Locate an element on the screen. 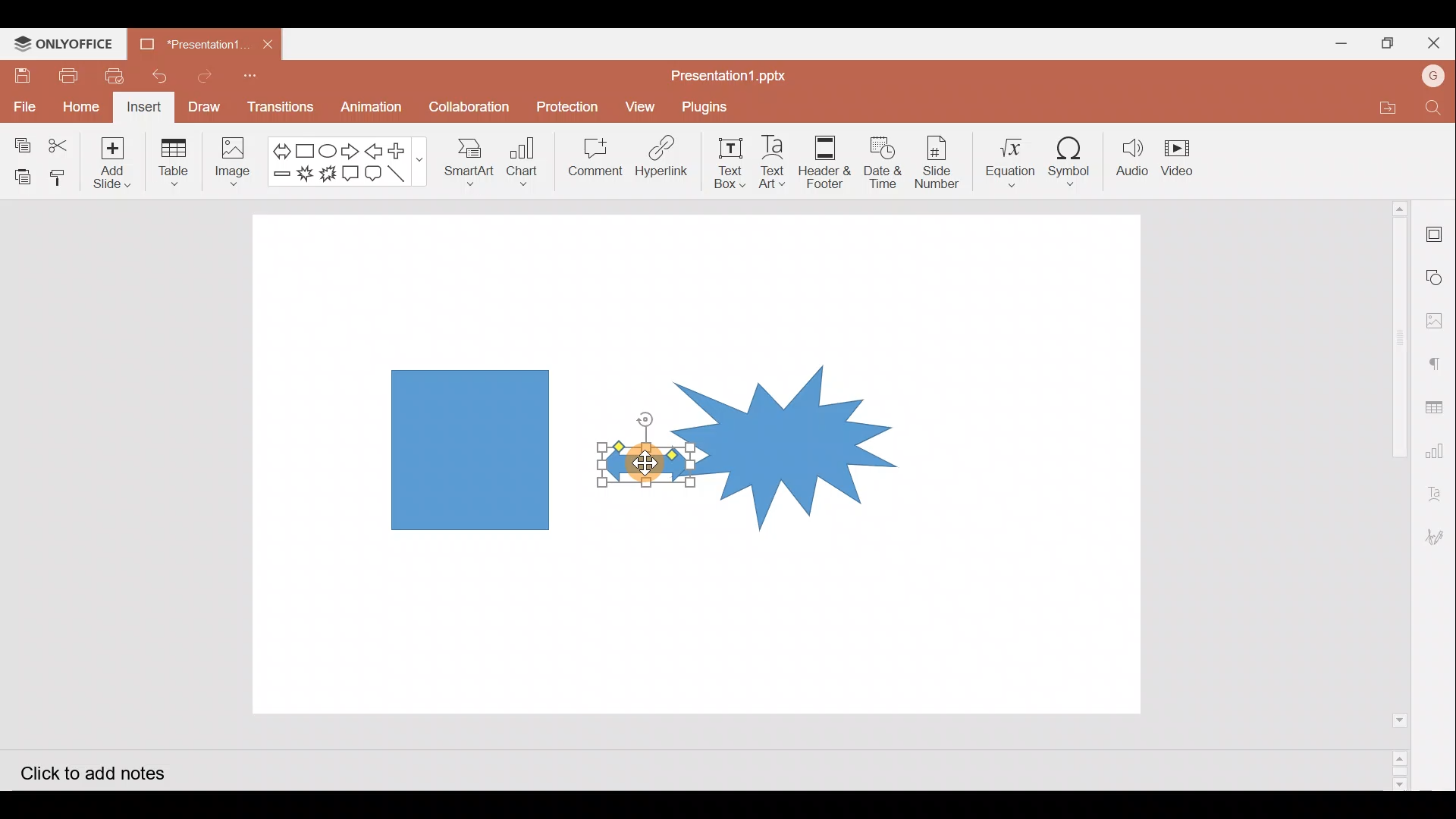  Transitions is located at coordinates (278, 108).